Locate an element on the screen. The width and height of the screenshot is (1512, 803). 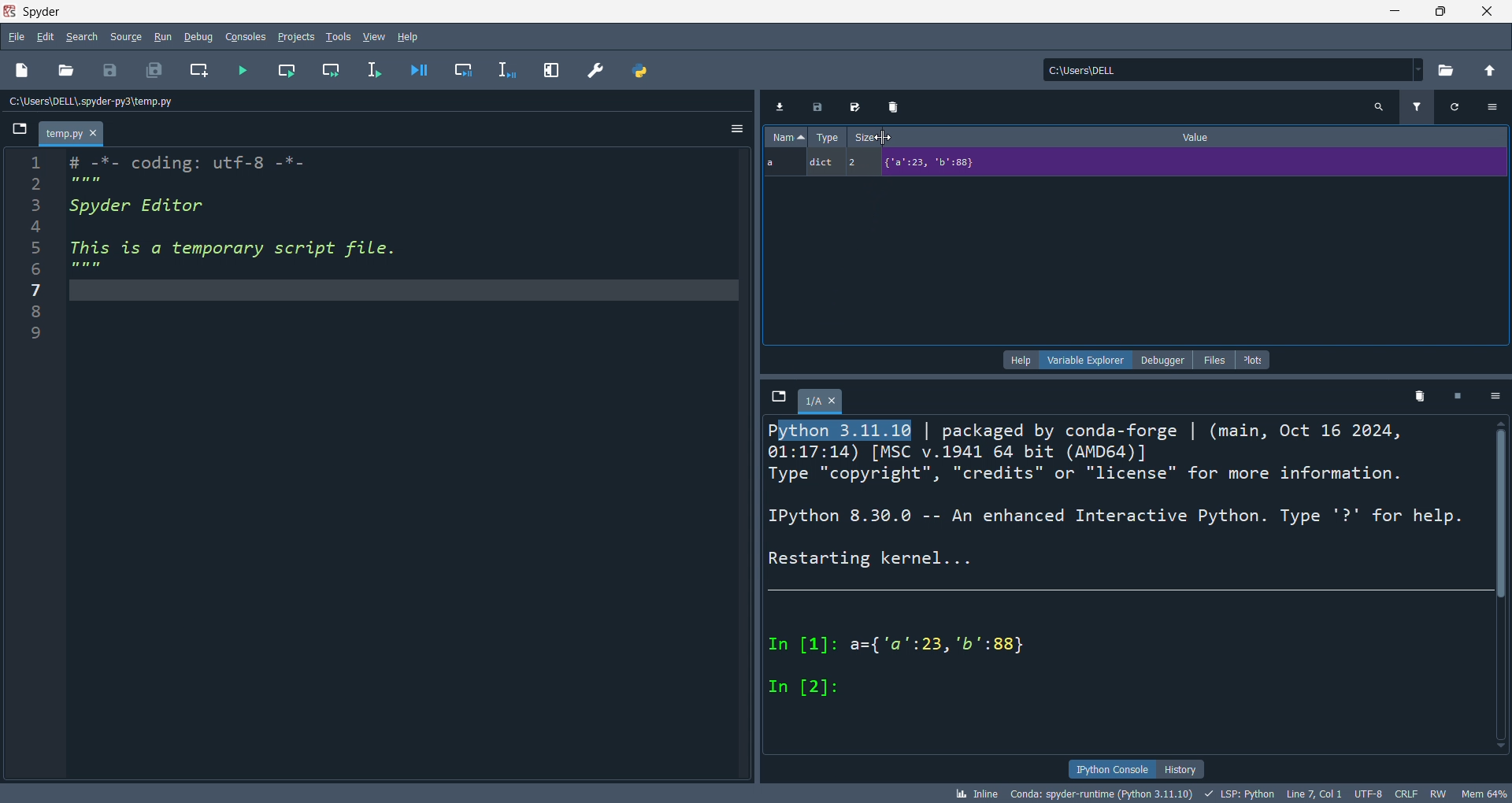
delete data is located at coordinates (888, 108).